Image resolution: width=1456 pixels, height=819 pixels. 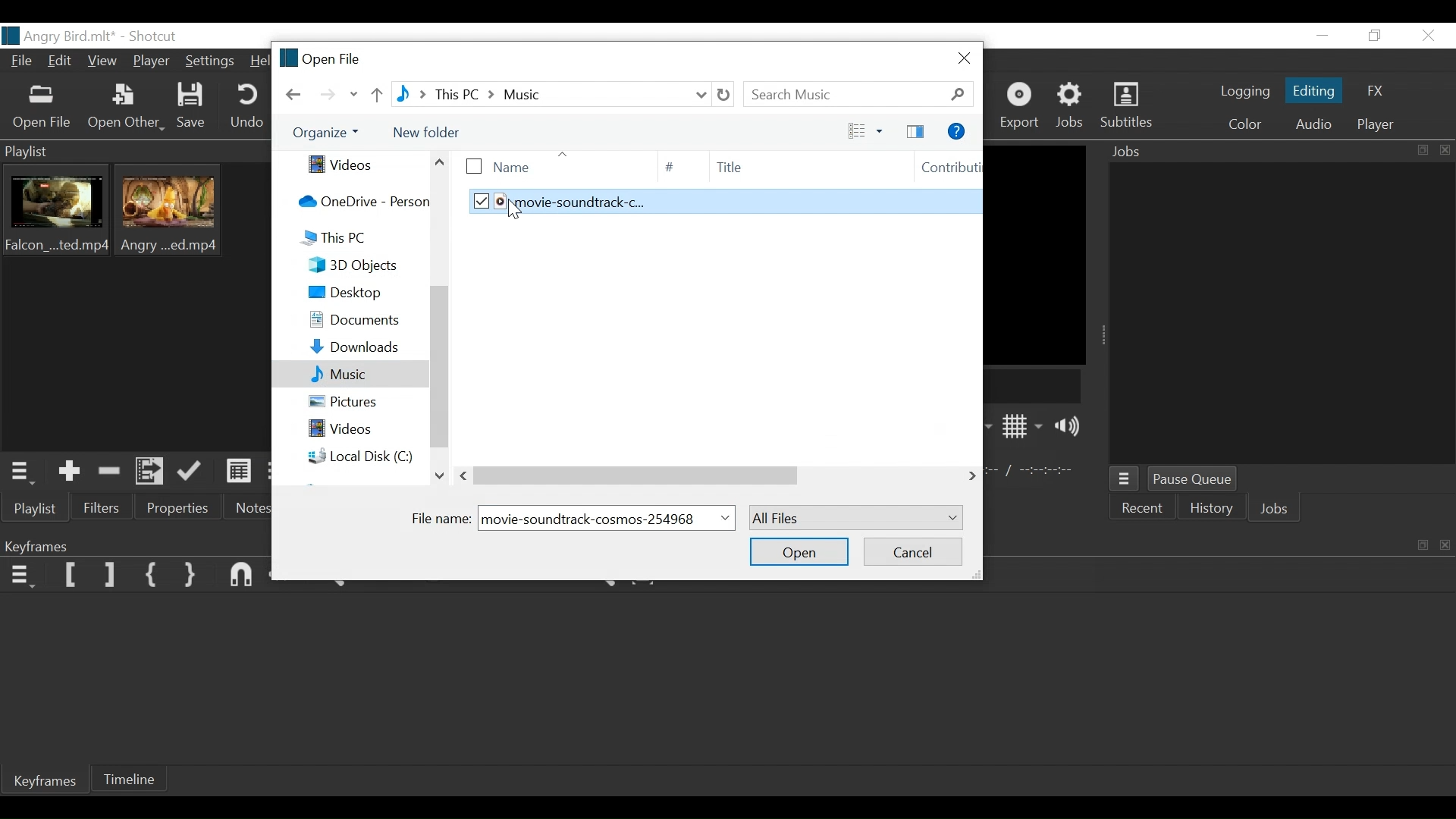 I want to click on In point, so click(x=1034, y=471).